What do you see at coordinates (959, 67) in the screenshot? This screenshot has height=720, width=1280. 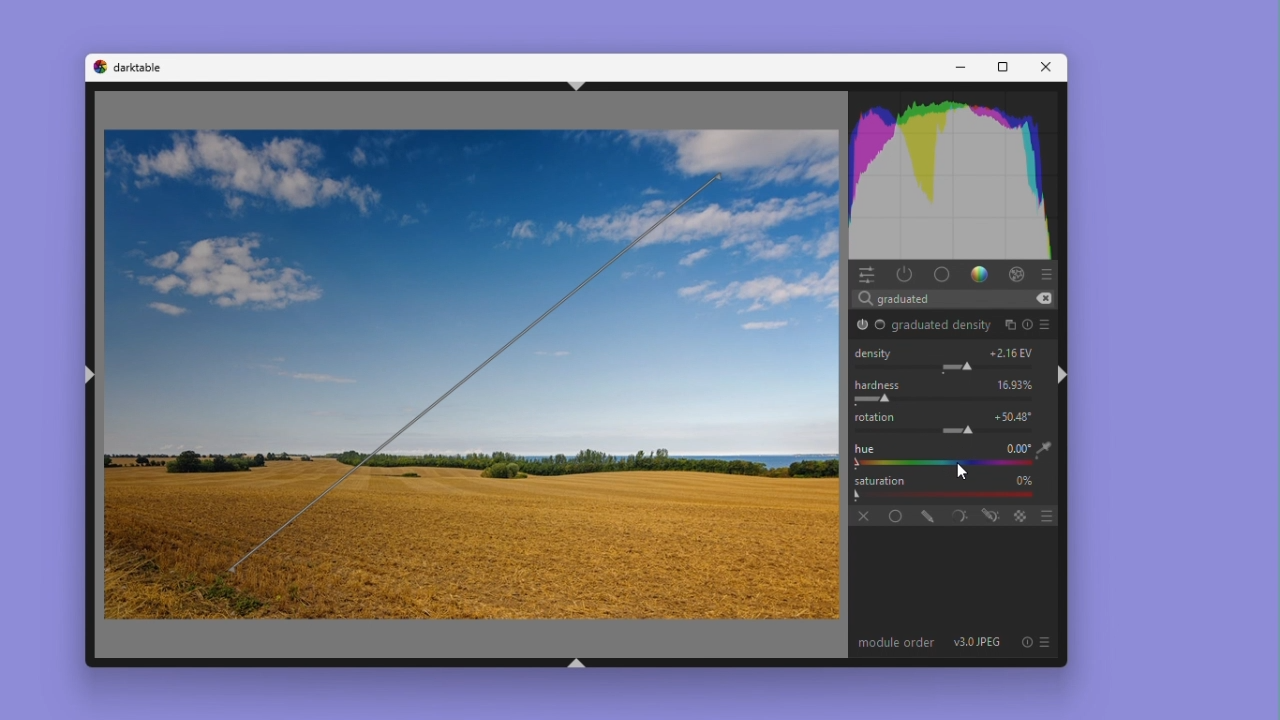 I see `Minimise` at bounding box center [959, 67].